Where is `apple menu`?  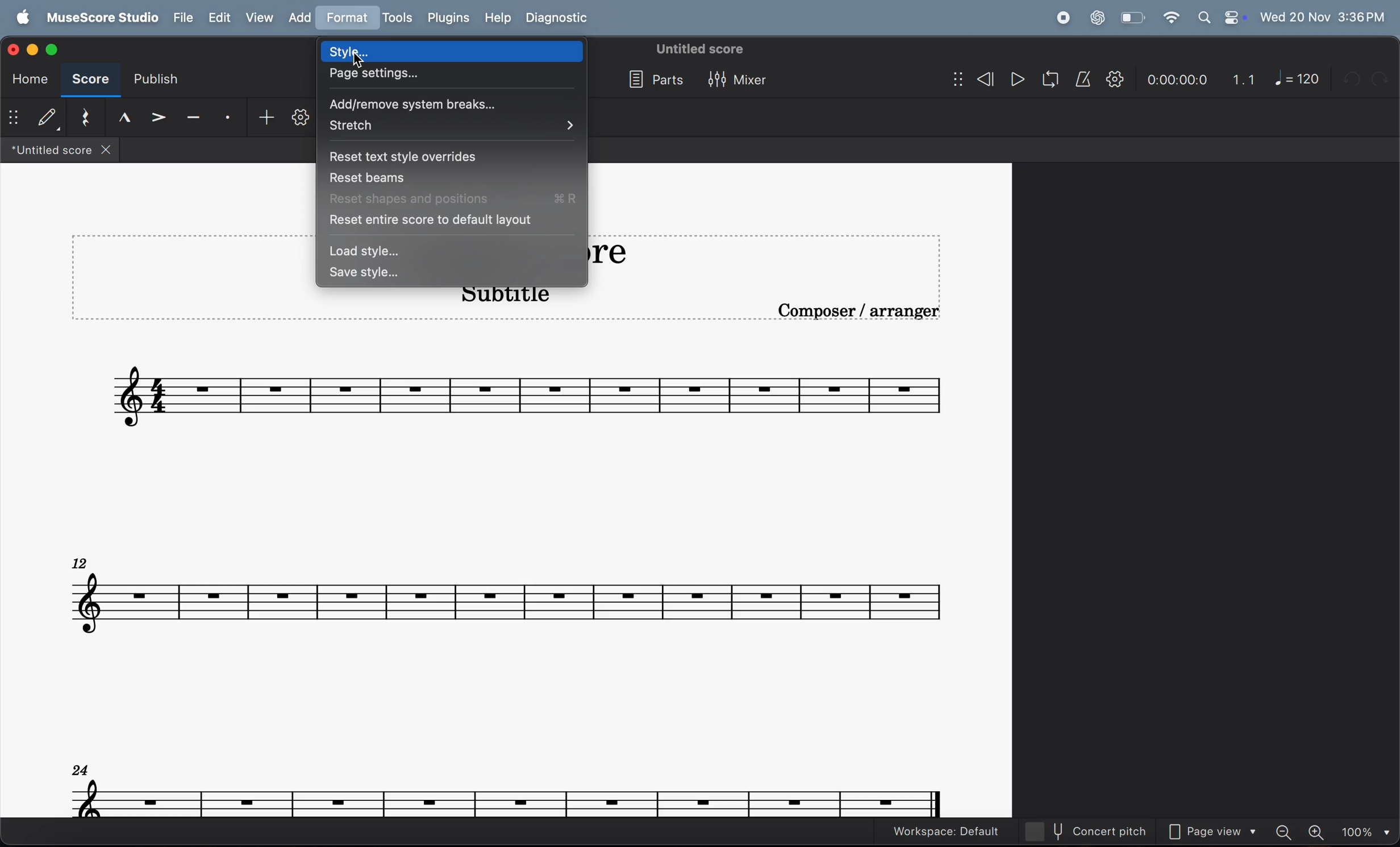
apple menu is located at coordinates (19, 18).